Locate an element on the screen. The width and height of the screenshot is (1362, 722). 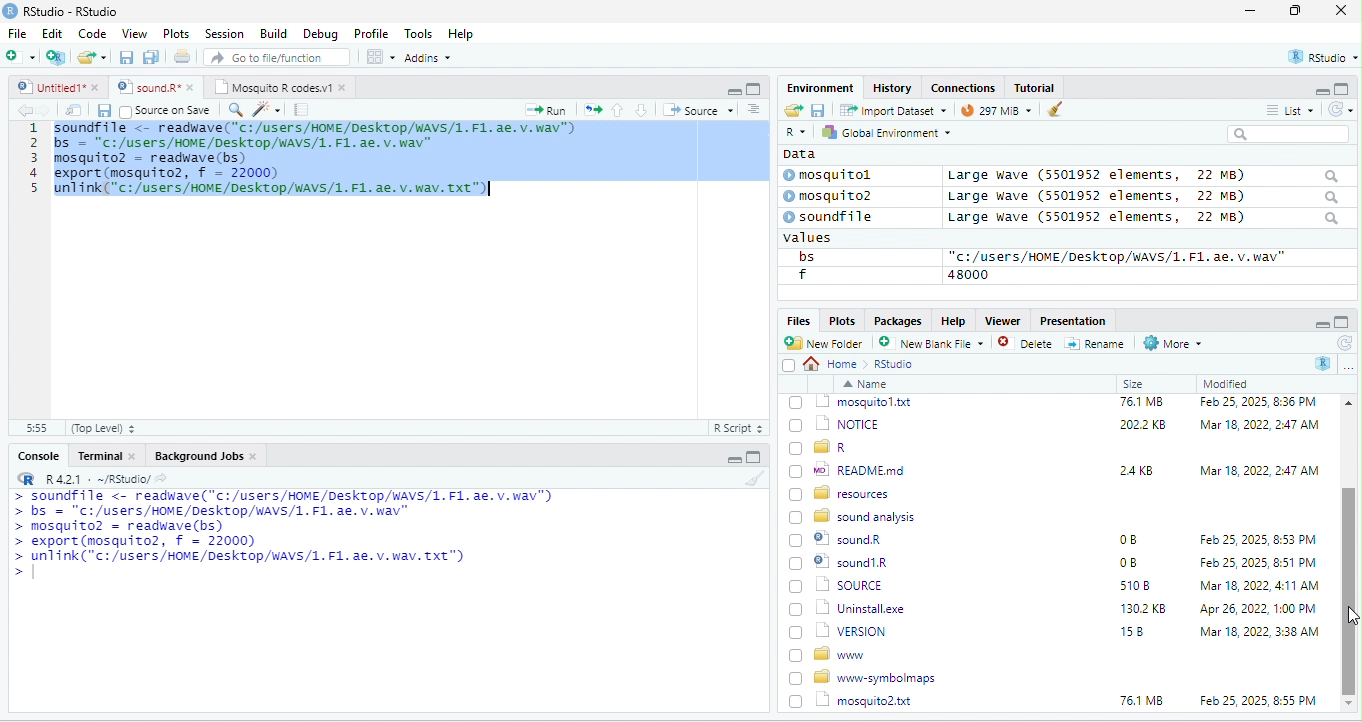
save is located at coordinates (817, 109).